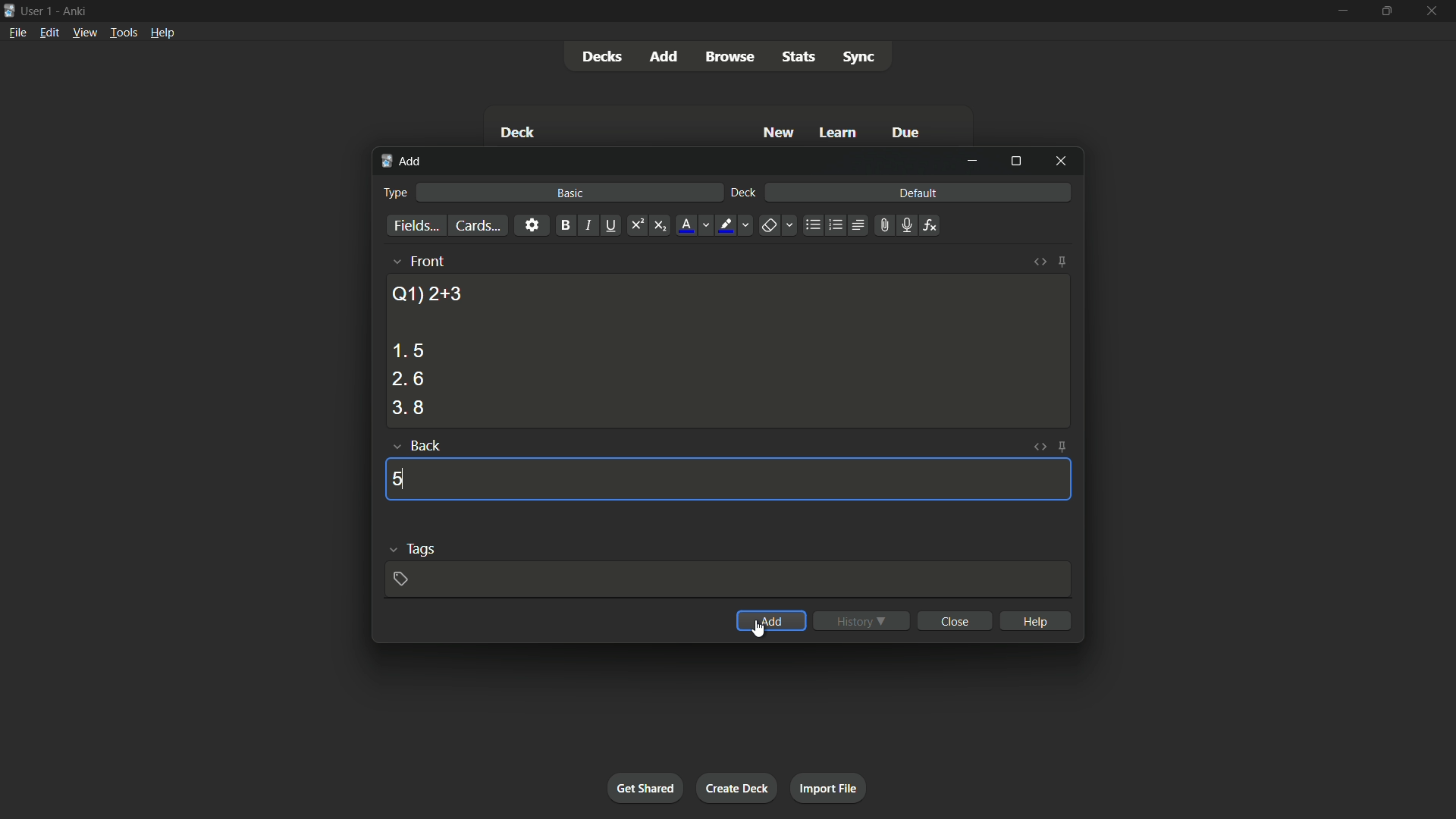  I want to click on sync, so click(859, 58).